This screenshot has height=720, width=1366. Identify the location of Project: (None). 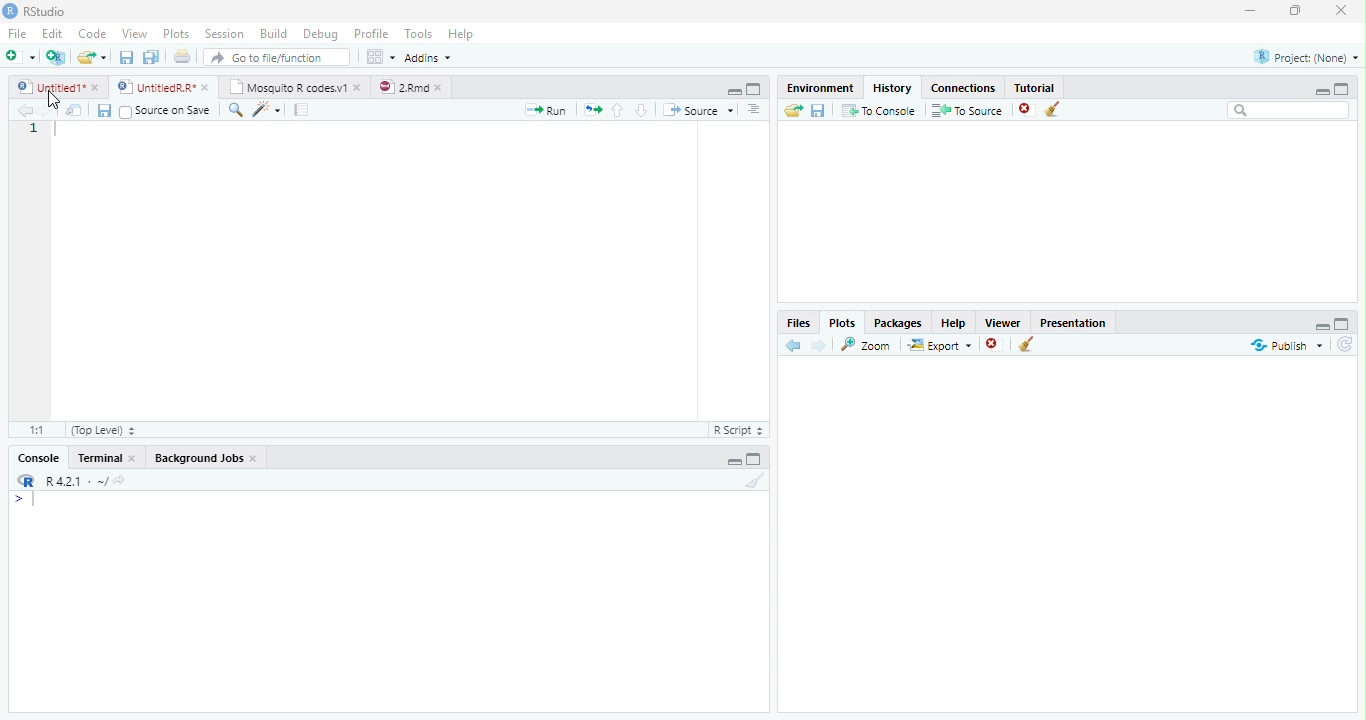
(1305, 55).